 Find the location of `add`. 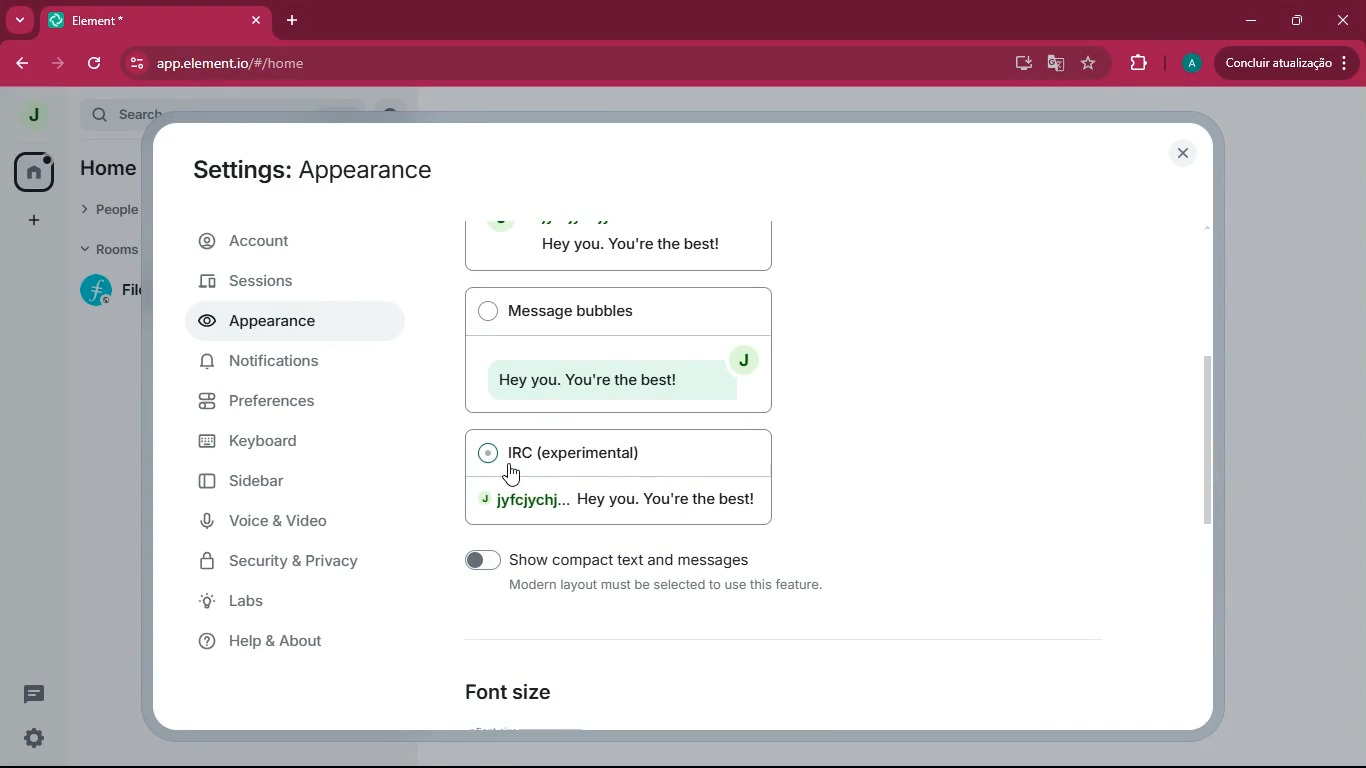

add is located at coordinates (38, 218).